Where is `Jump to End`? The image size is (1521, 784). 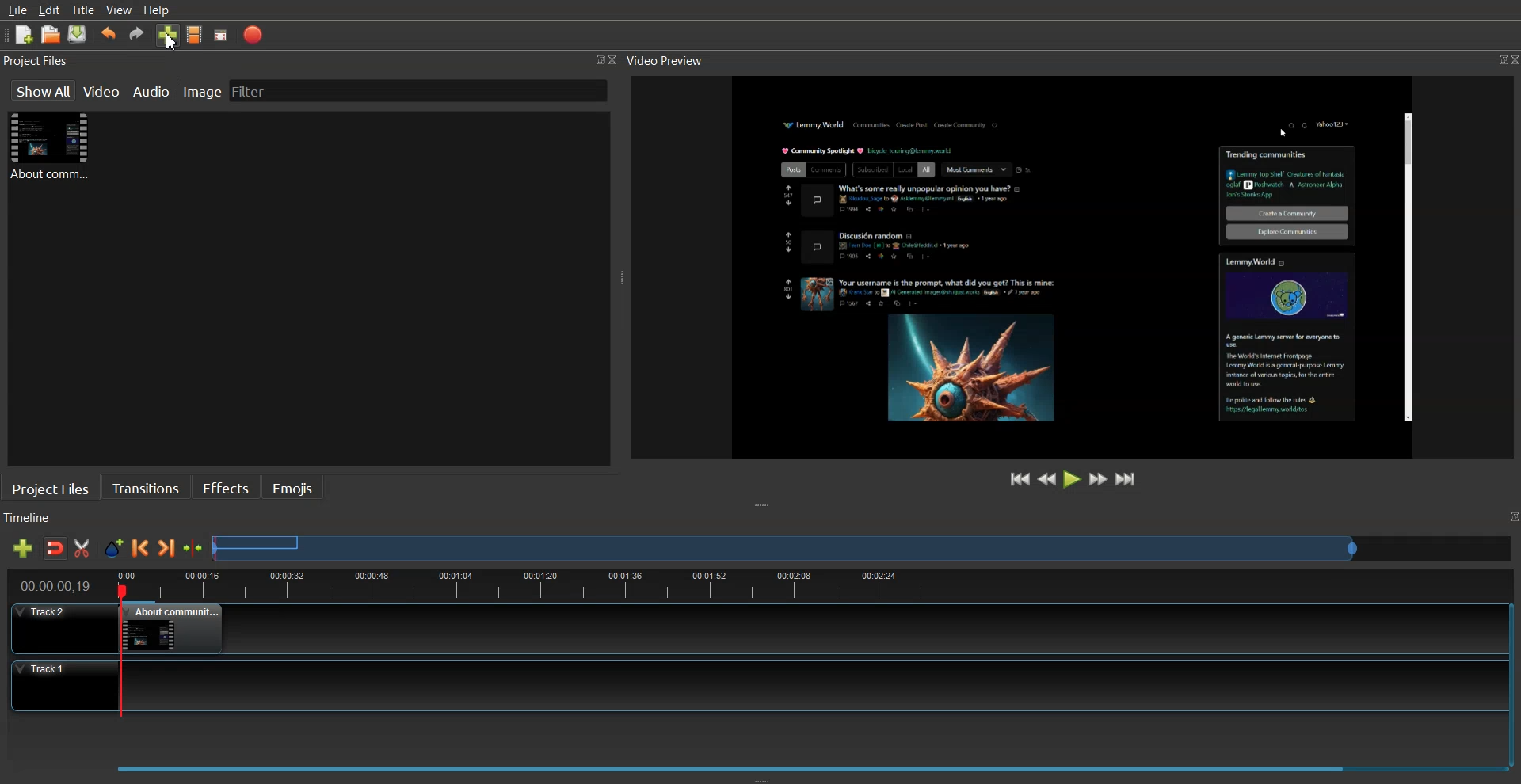
Jump to End is located at coordinates (1126, 478).